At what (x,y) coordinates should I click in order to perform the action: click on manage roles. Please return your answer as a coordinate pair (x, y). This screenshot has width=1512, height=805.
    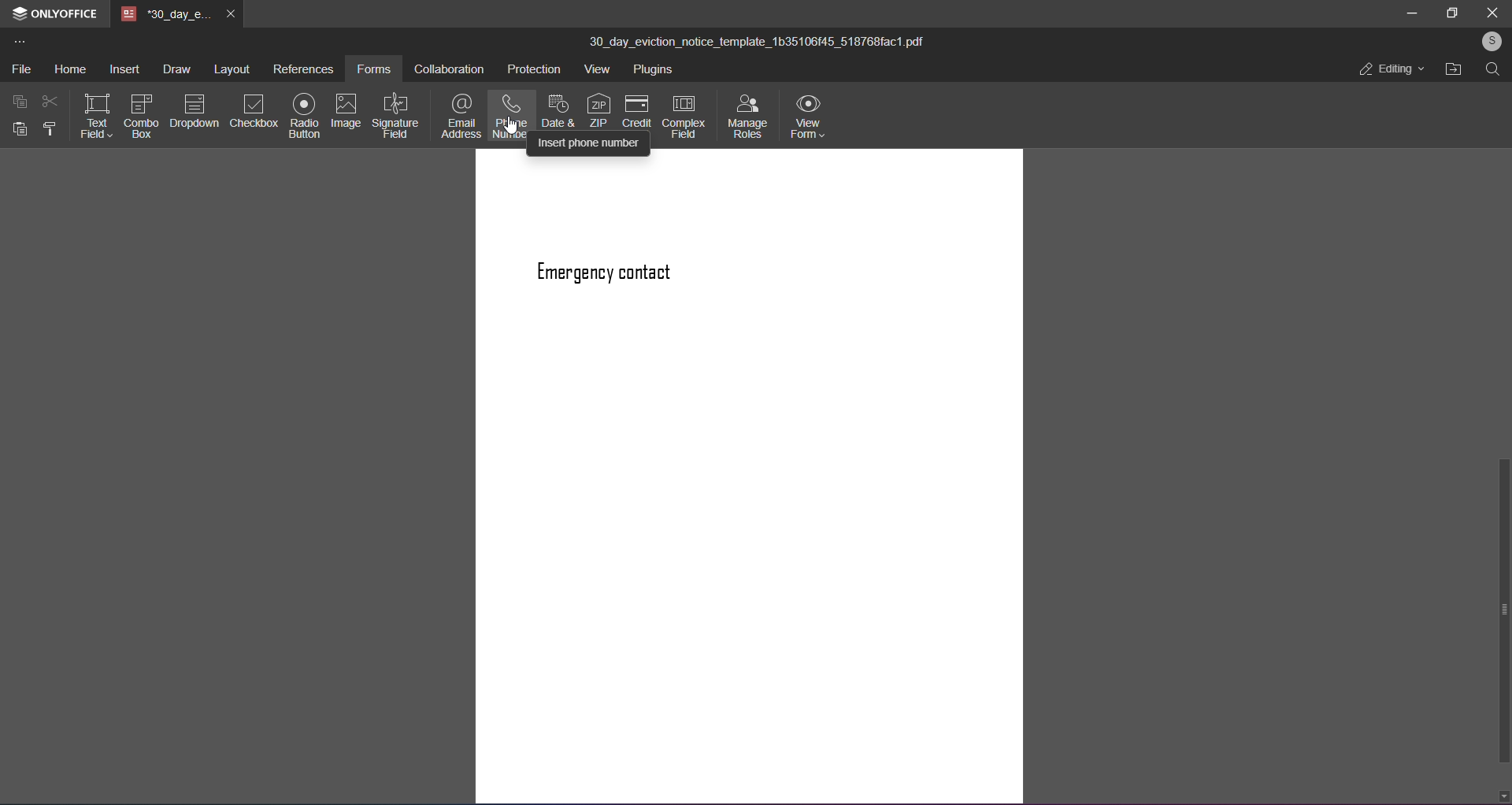
    Looking at the image, I should click on (746, 117).